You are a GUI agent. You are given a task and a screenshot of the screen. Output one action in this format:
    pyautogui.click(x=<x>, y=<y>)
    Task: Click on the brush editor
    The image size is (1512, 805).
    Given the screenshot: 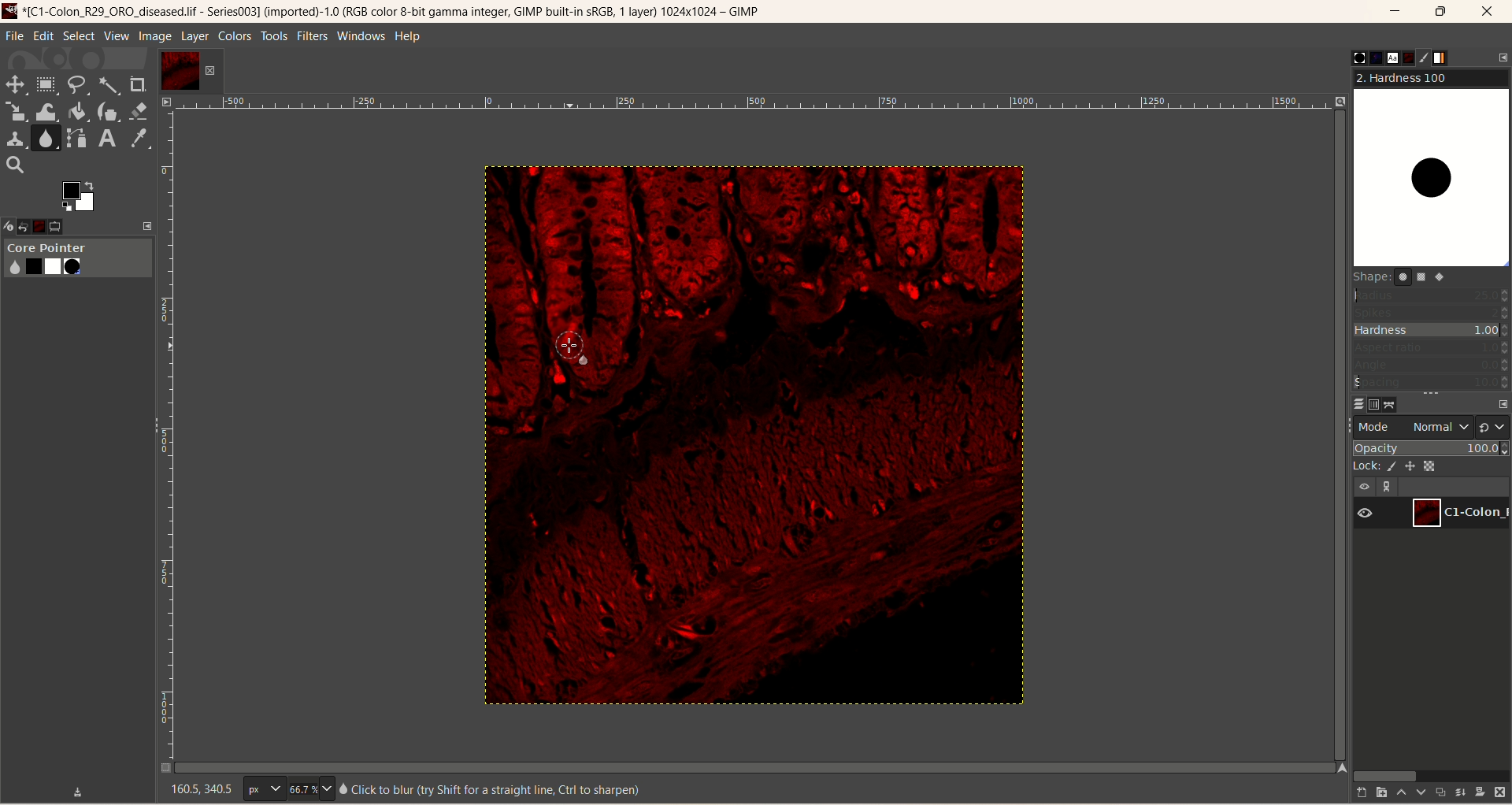 What is the action you would take?
    pyautogui.click(x=1427, y=57)
    